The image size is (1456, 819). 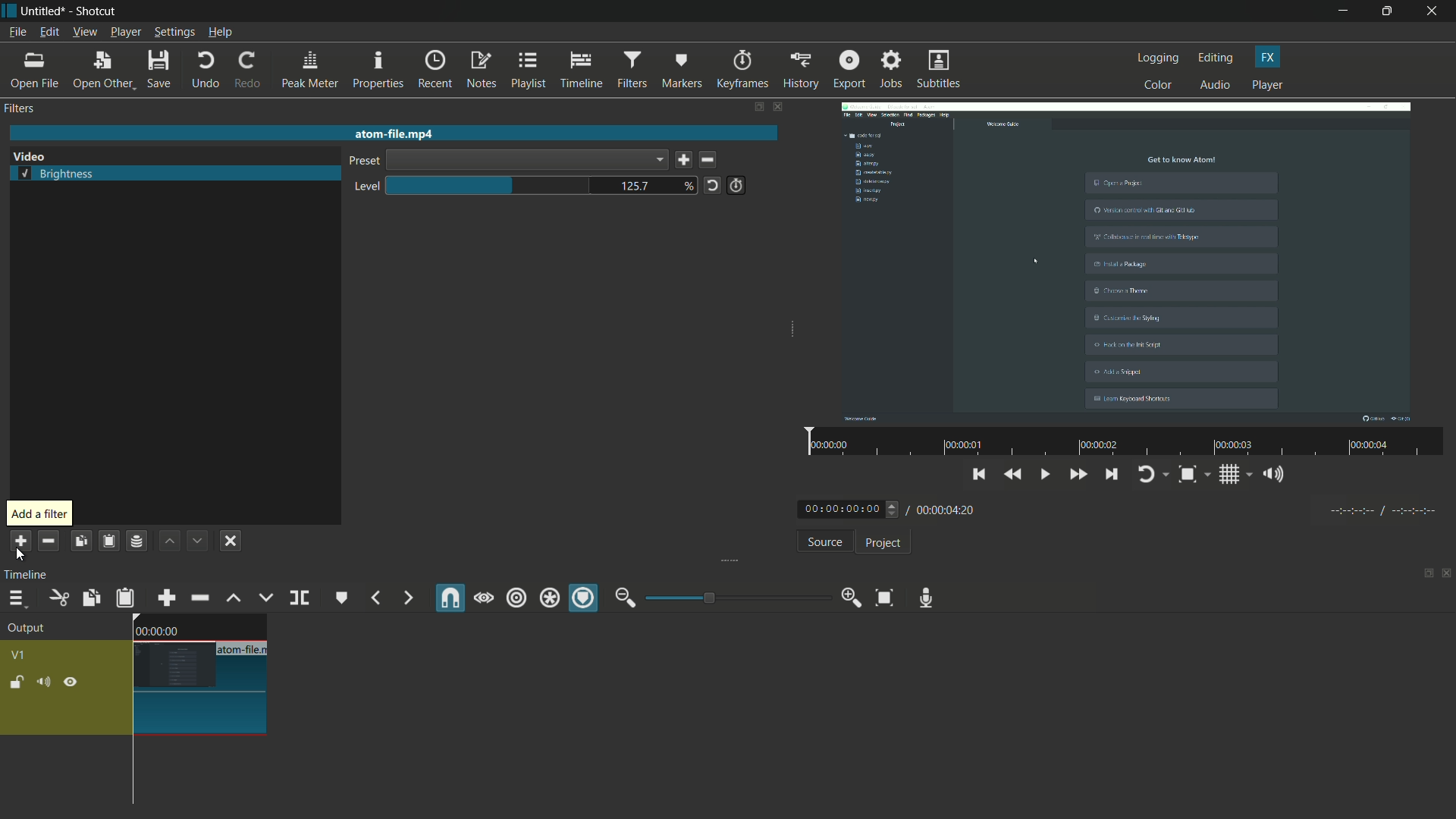 I want to click on properties, so click(x=378, y=71).